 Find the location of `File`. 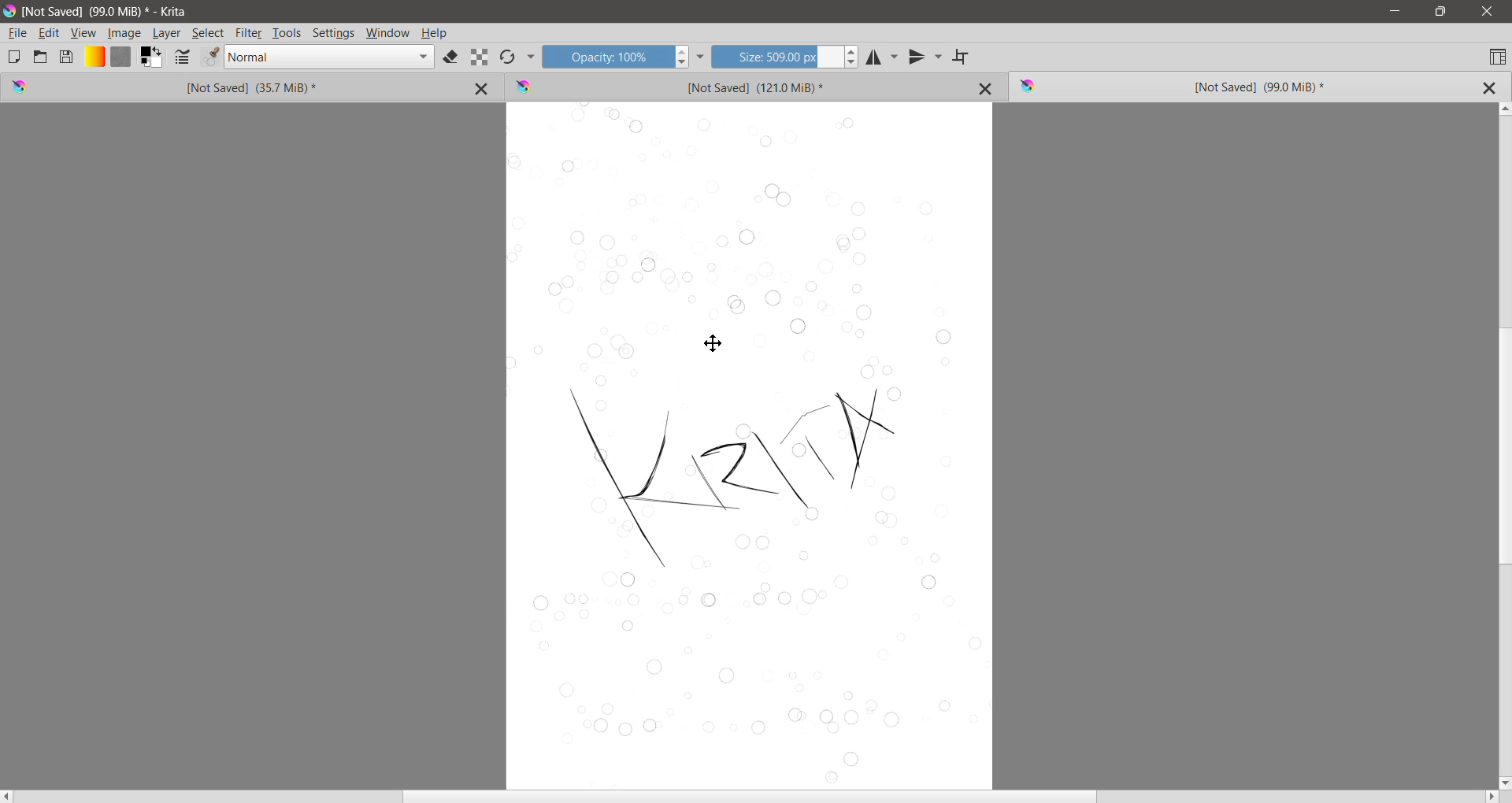

File is located at coordinates (17, 33).